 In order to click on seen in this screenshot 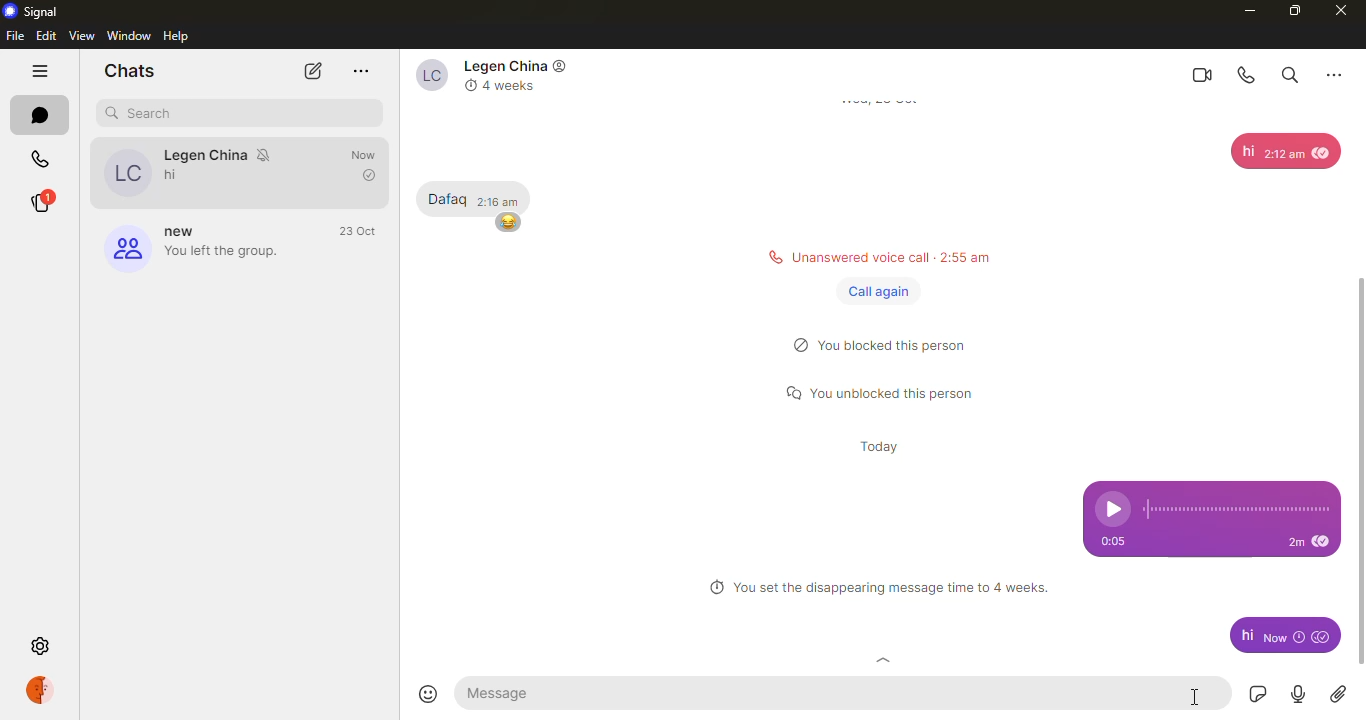, I will do `click(1326, 542)`.